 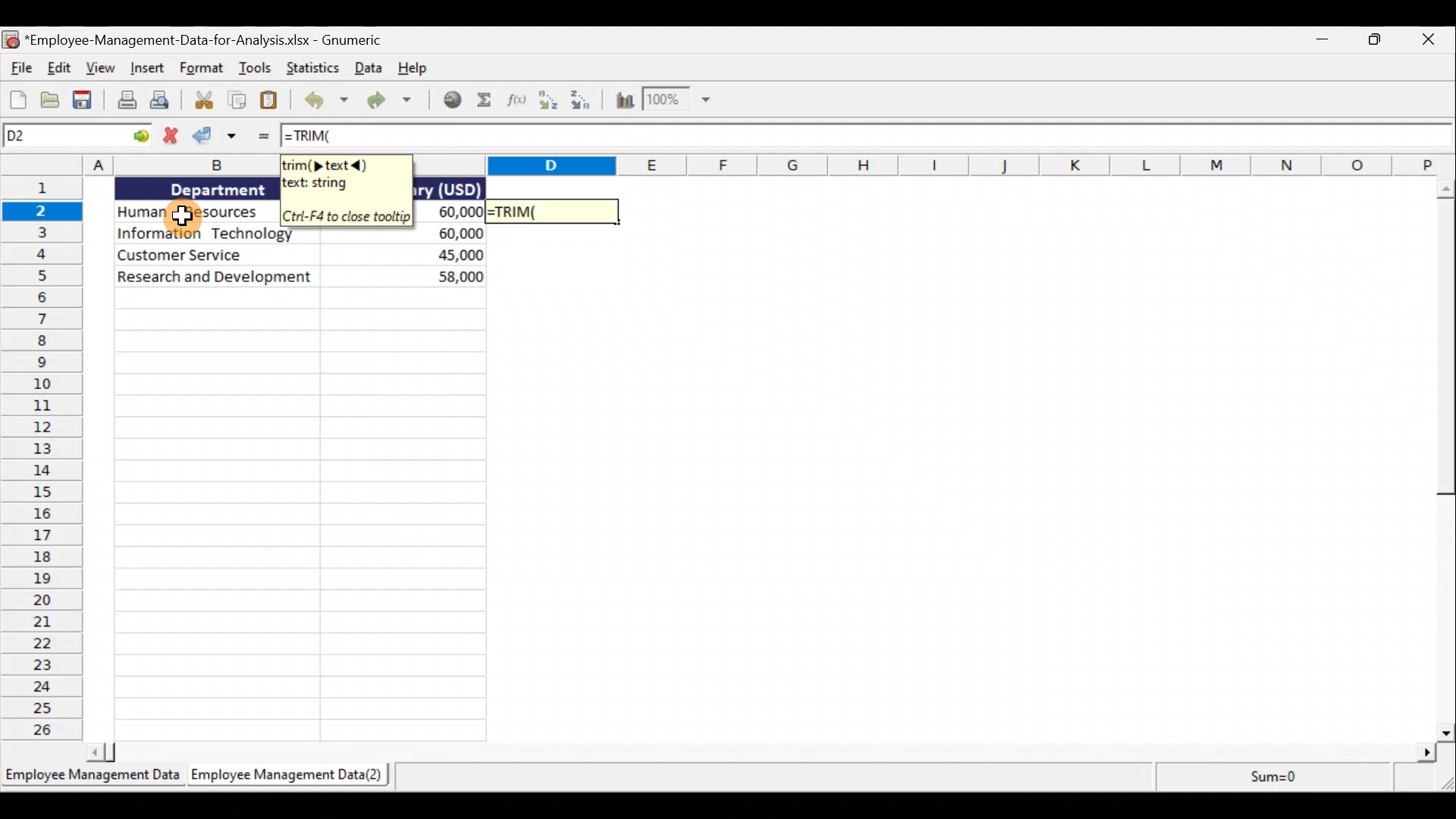 I want to click on Sum into the current cell, so click(x=487, y=101).